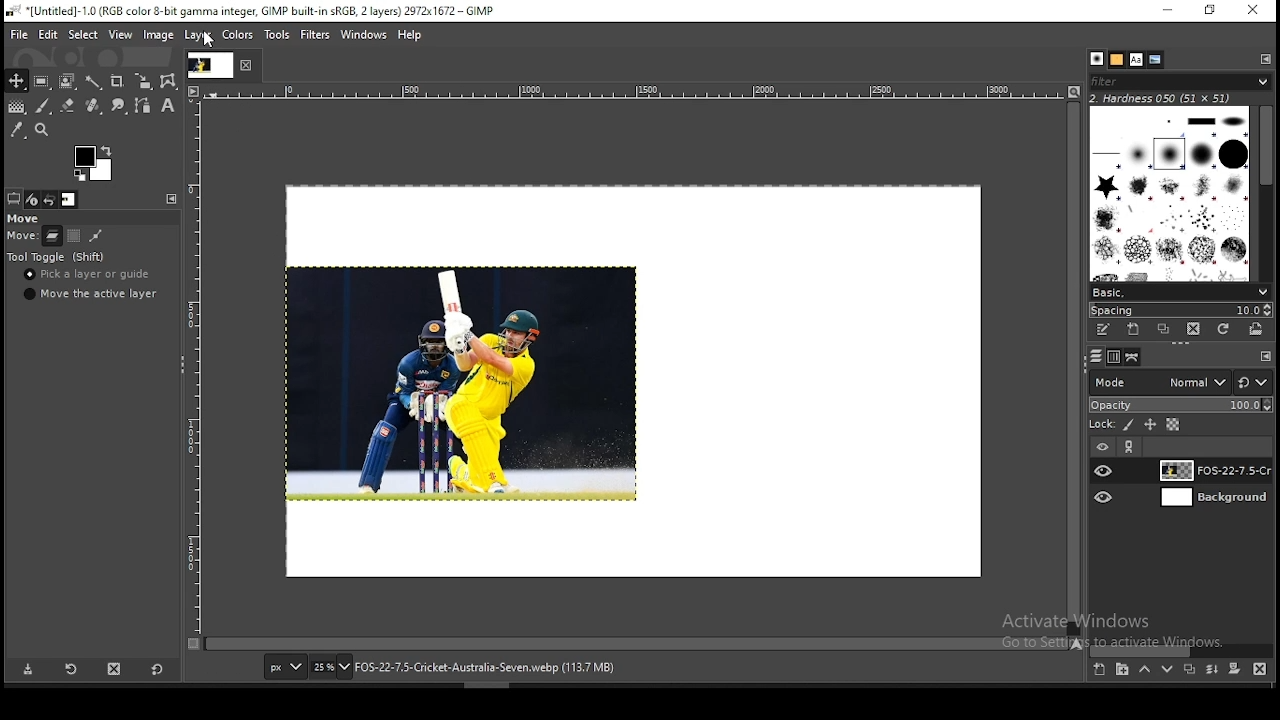 The width and height of the screenshot is (1280, 720). Describe the element at coordinates (89, 276) in the screenshot. I see `pick a layer or guide` at that location.